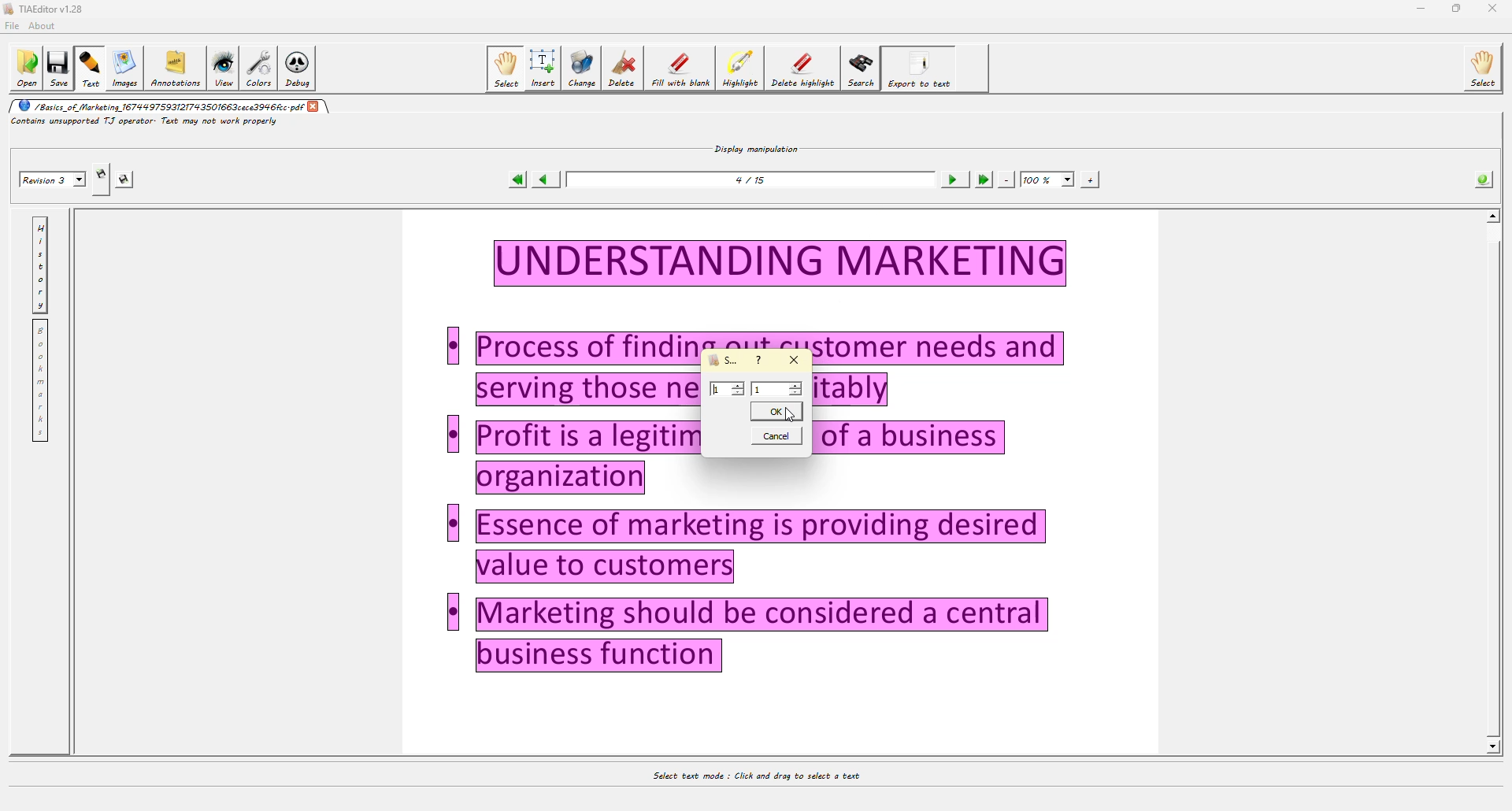 The image size is (1512, 811). What do you see at coordinates (26, 69) in the screenshot?
I see `open` at bounding box center [26, 69].